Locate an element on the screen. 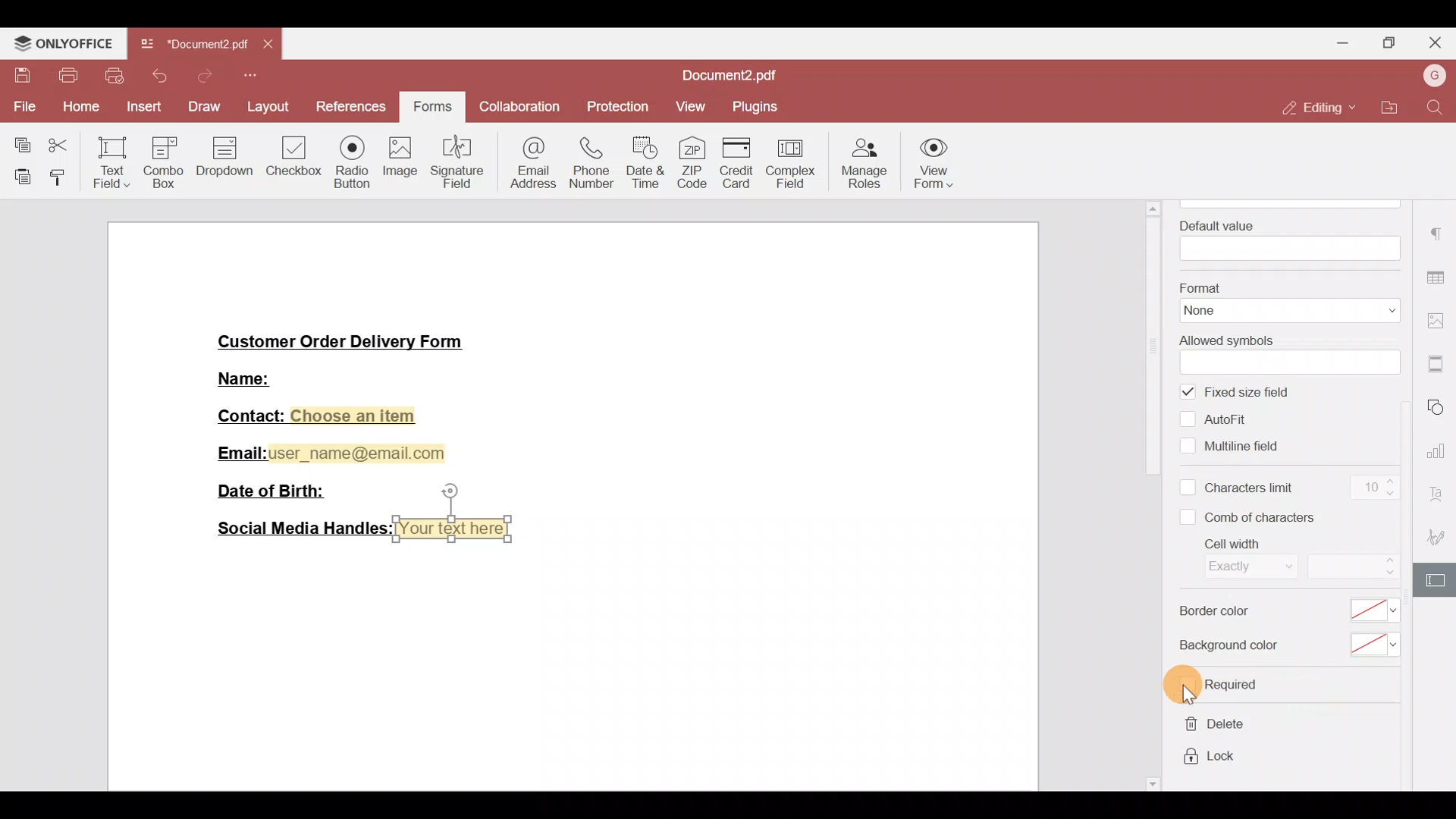 The height and width of the screenshot is (819, 1456). Lock is located at coordinates (1211, 759).